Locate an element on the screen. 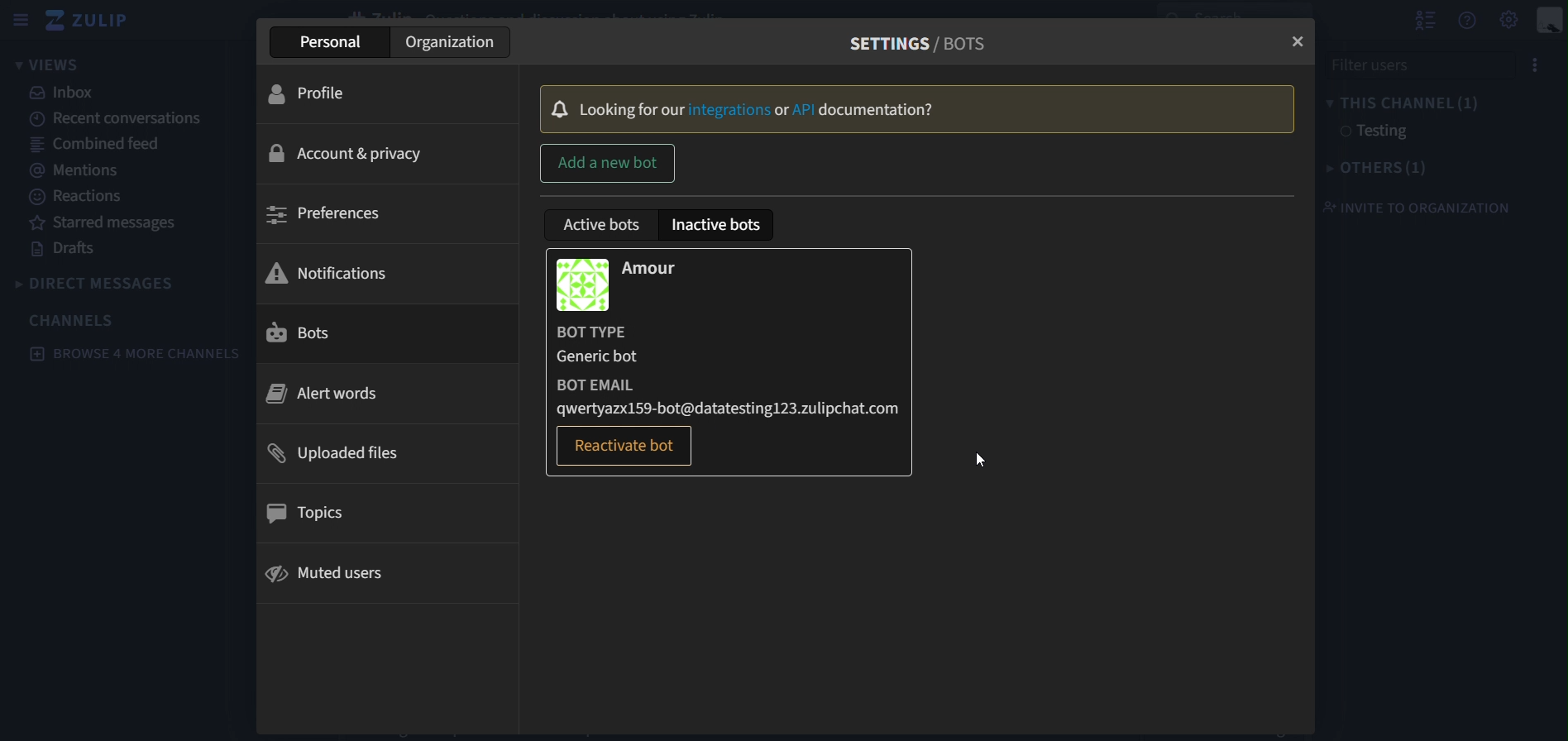 The image size is (1568, 741). invite to organization is located at coordinates (1415, 207).